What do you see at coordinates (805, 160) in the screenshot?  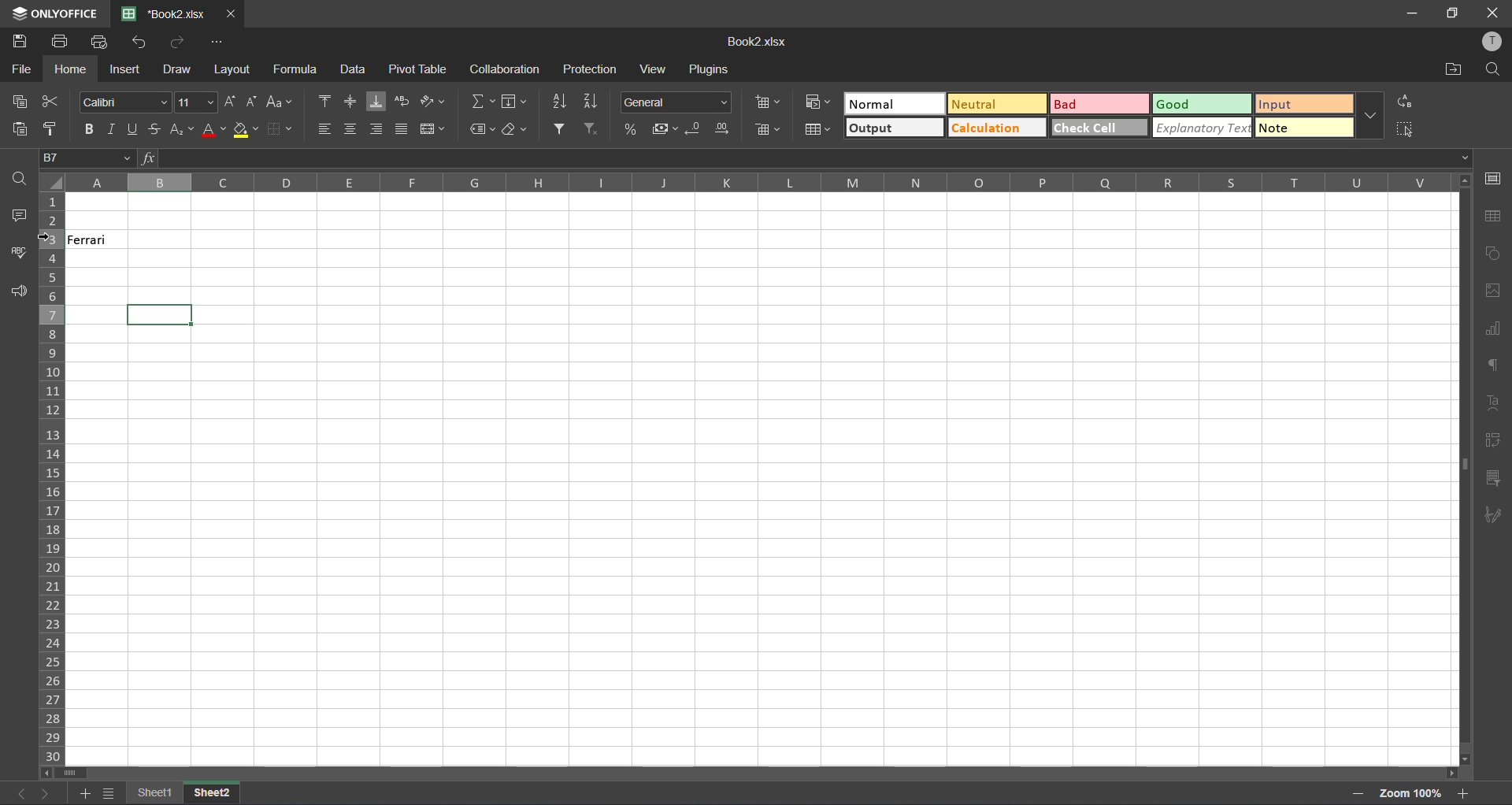 I see `formula bar` at bounding box center [805, 160].